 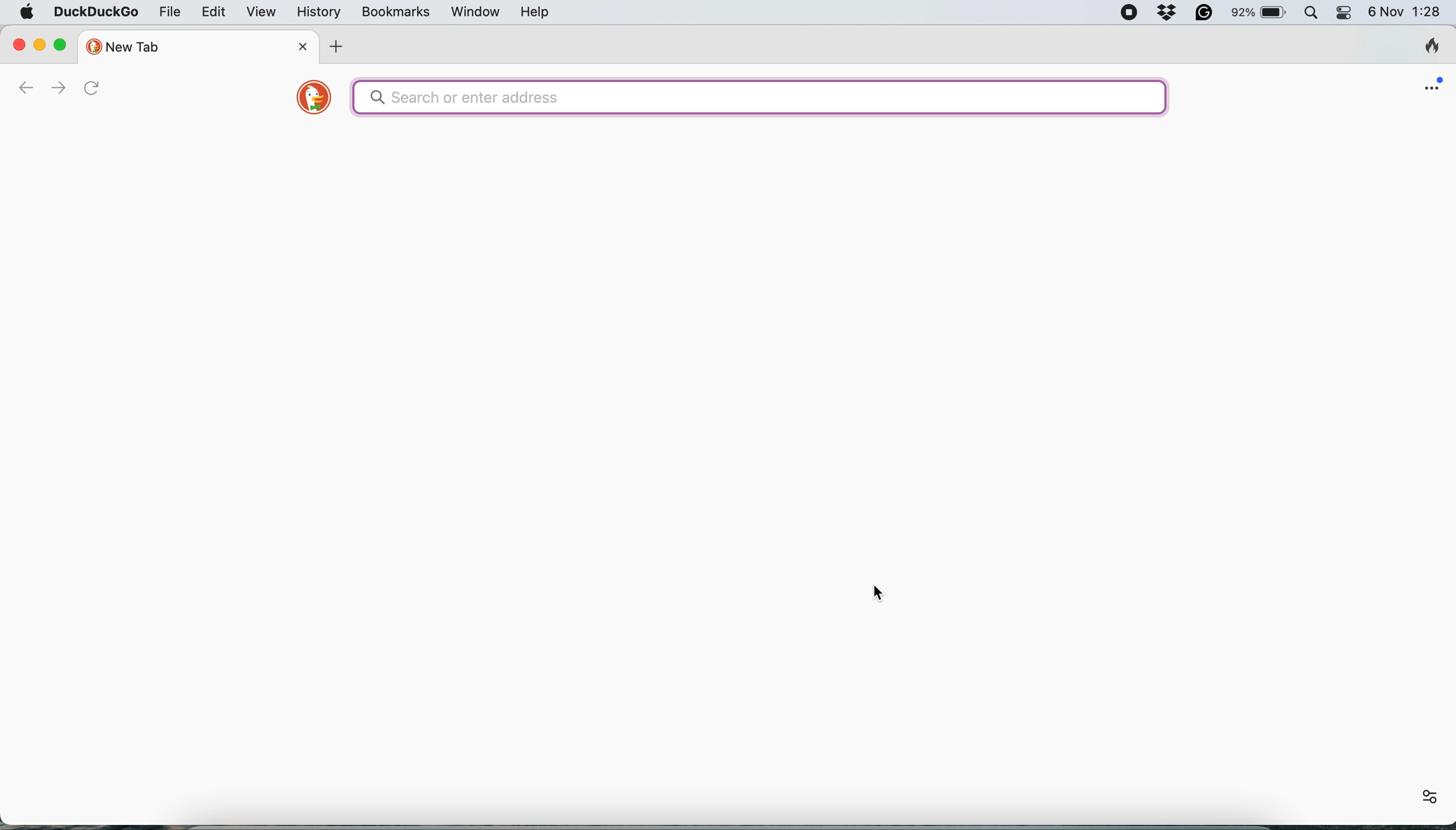 What do you see at coordinates (25, 88) in the screenshot?
I see `go back` at bounding box center [25, 88].